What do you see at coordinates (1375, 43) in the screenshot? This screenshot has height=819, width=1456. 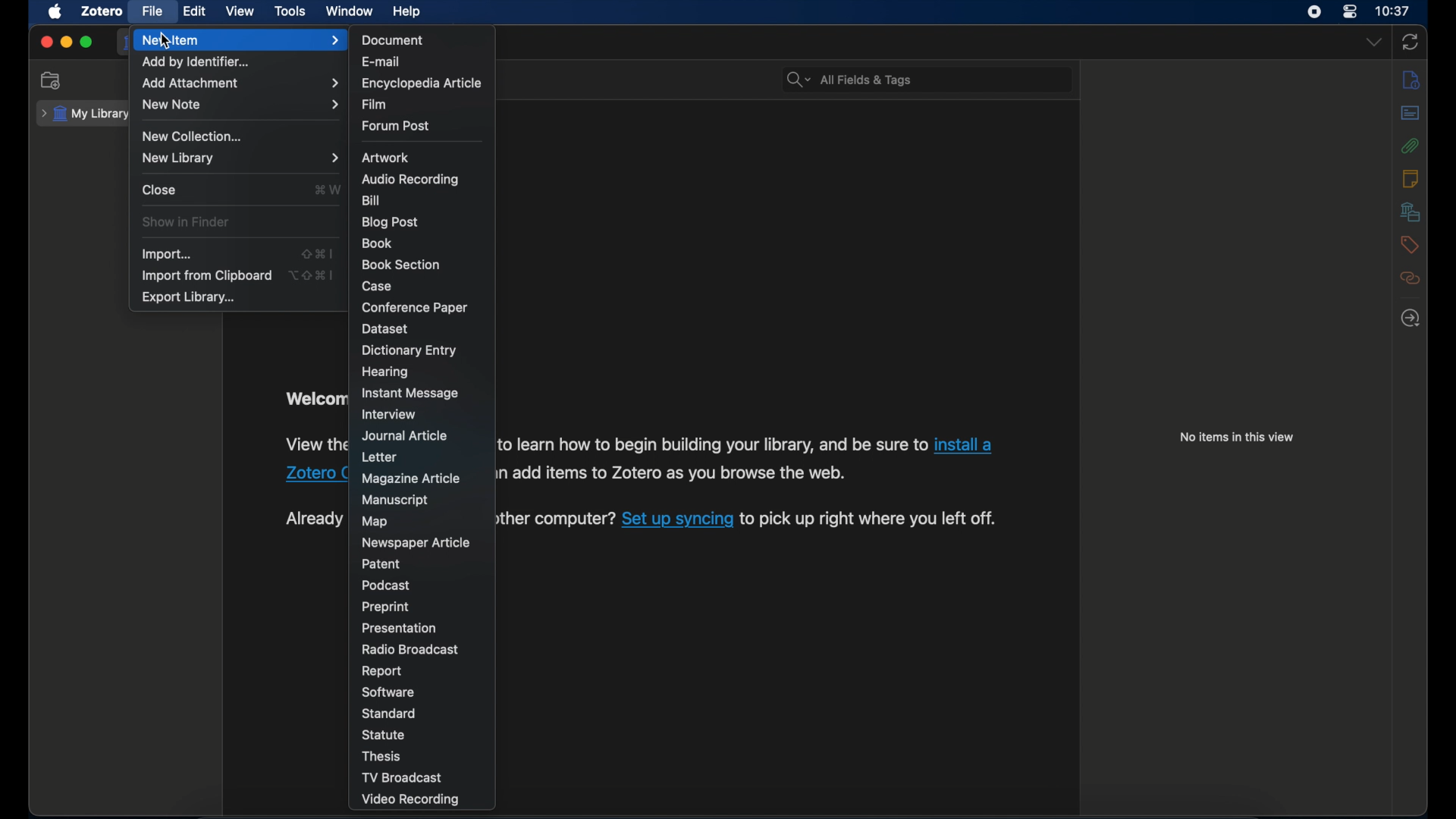 I see `dropdown` at bounding box center [1375, 43].